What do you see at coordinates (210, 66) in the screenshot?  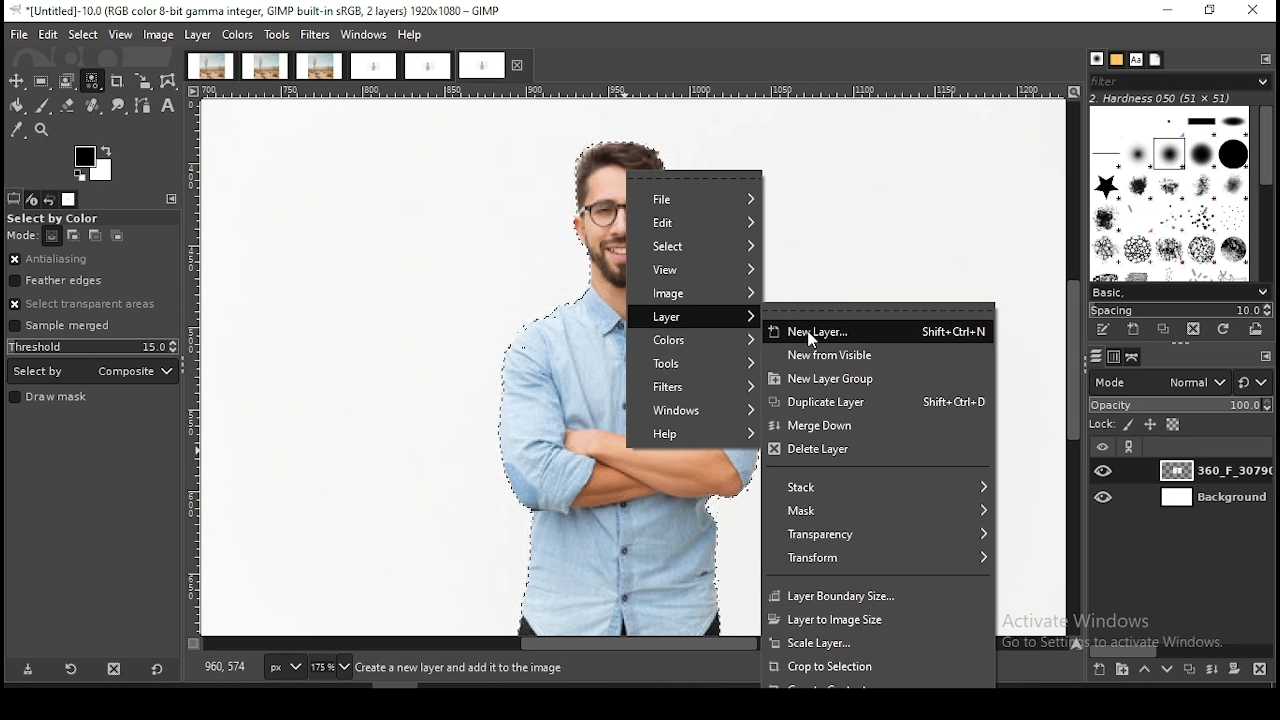 I see `project tab` at bounding box center [210, 66].